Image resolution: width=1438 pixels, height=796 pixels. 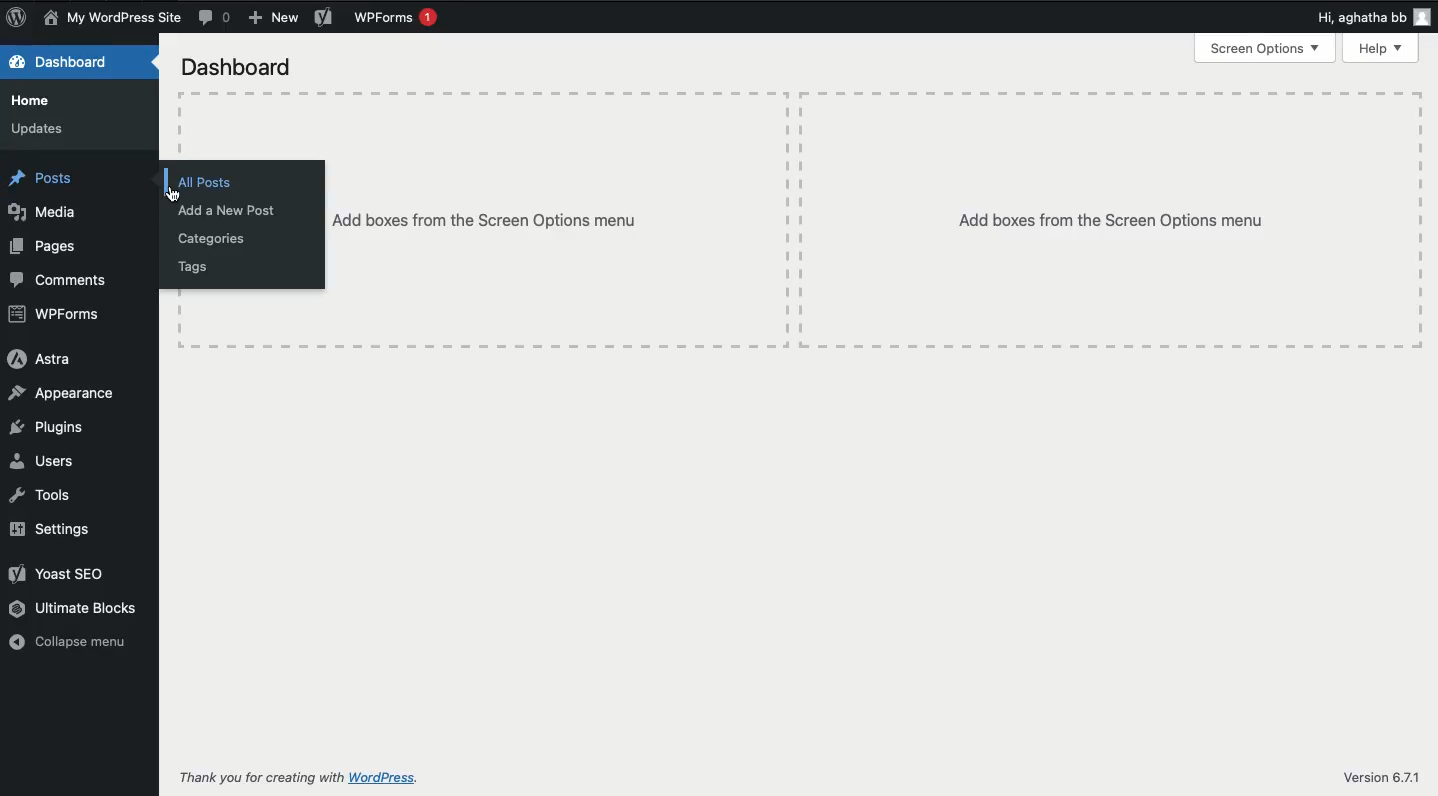 What do you see at coordinates (45, 179) in the screenshot?
I see `Posts` at bounding box center [45, 179].